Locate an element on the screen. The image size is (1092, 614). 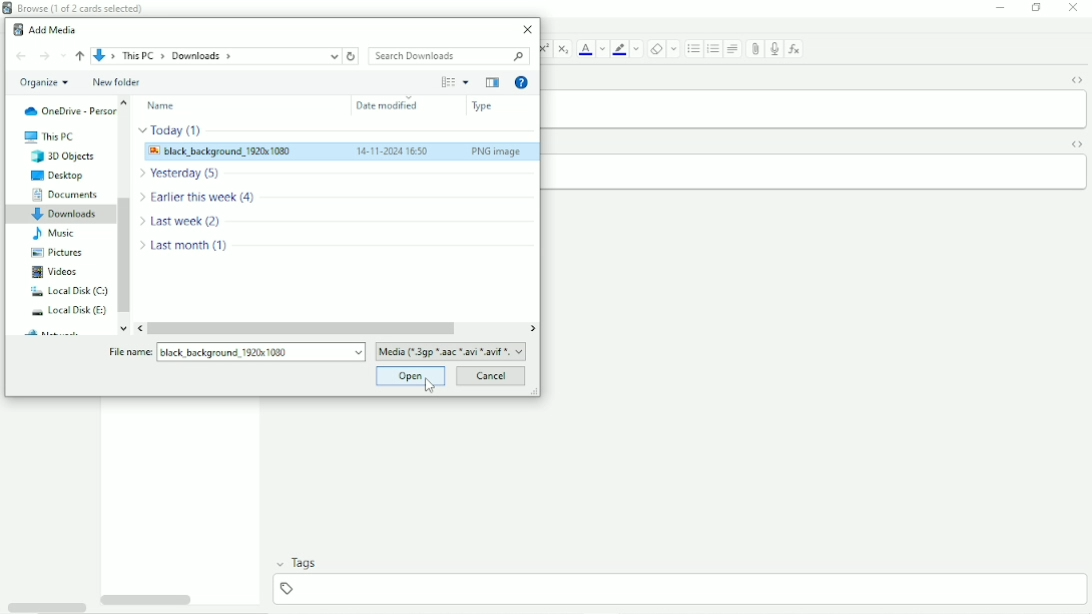
Close is located at coordinates (526, 30).